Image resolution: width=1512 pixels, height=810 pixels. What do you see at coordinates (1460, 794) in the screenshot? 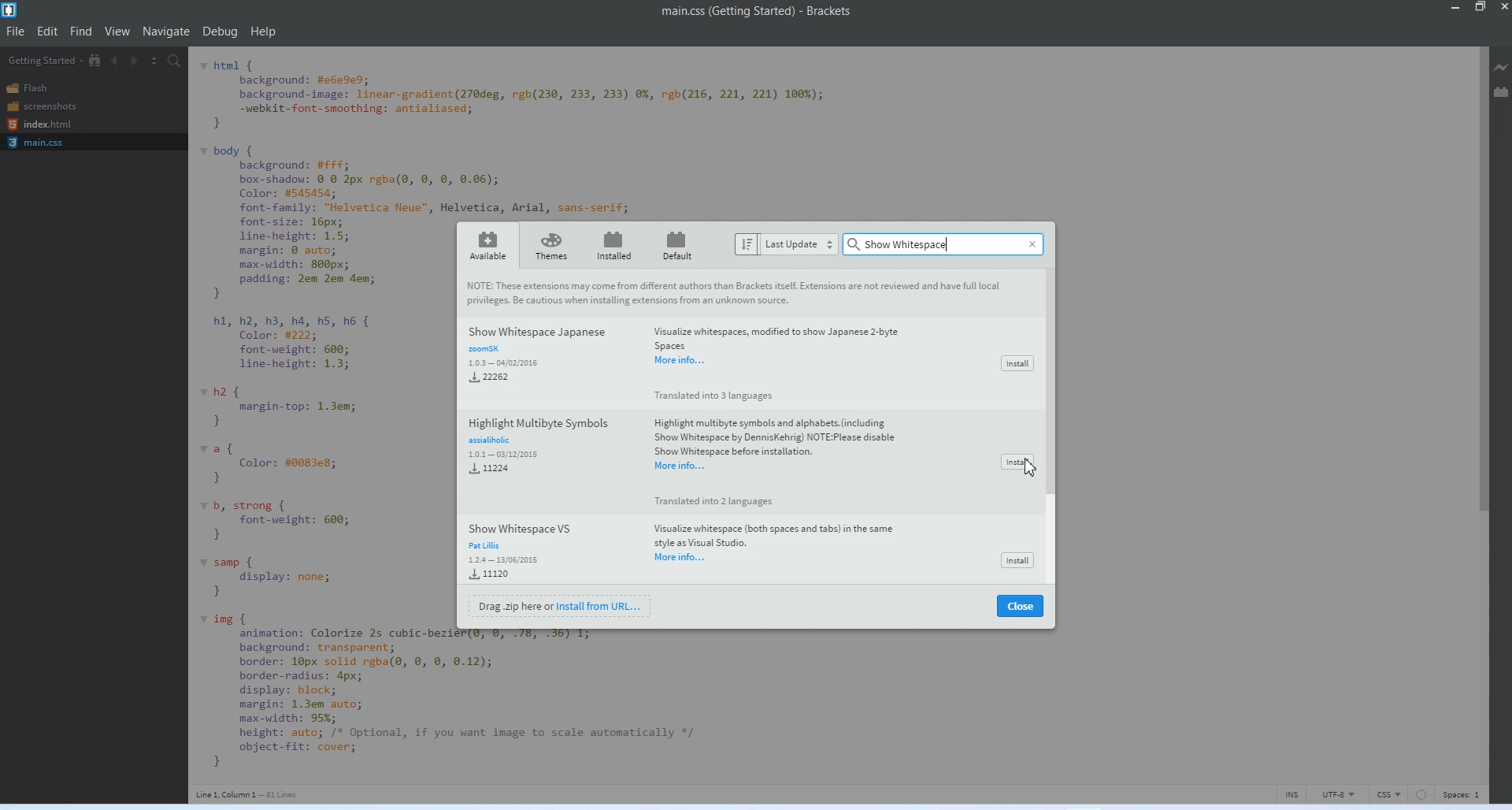
I see `Spaces 1` at bounding box center [1460, 794].